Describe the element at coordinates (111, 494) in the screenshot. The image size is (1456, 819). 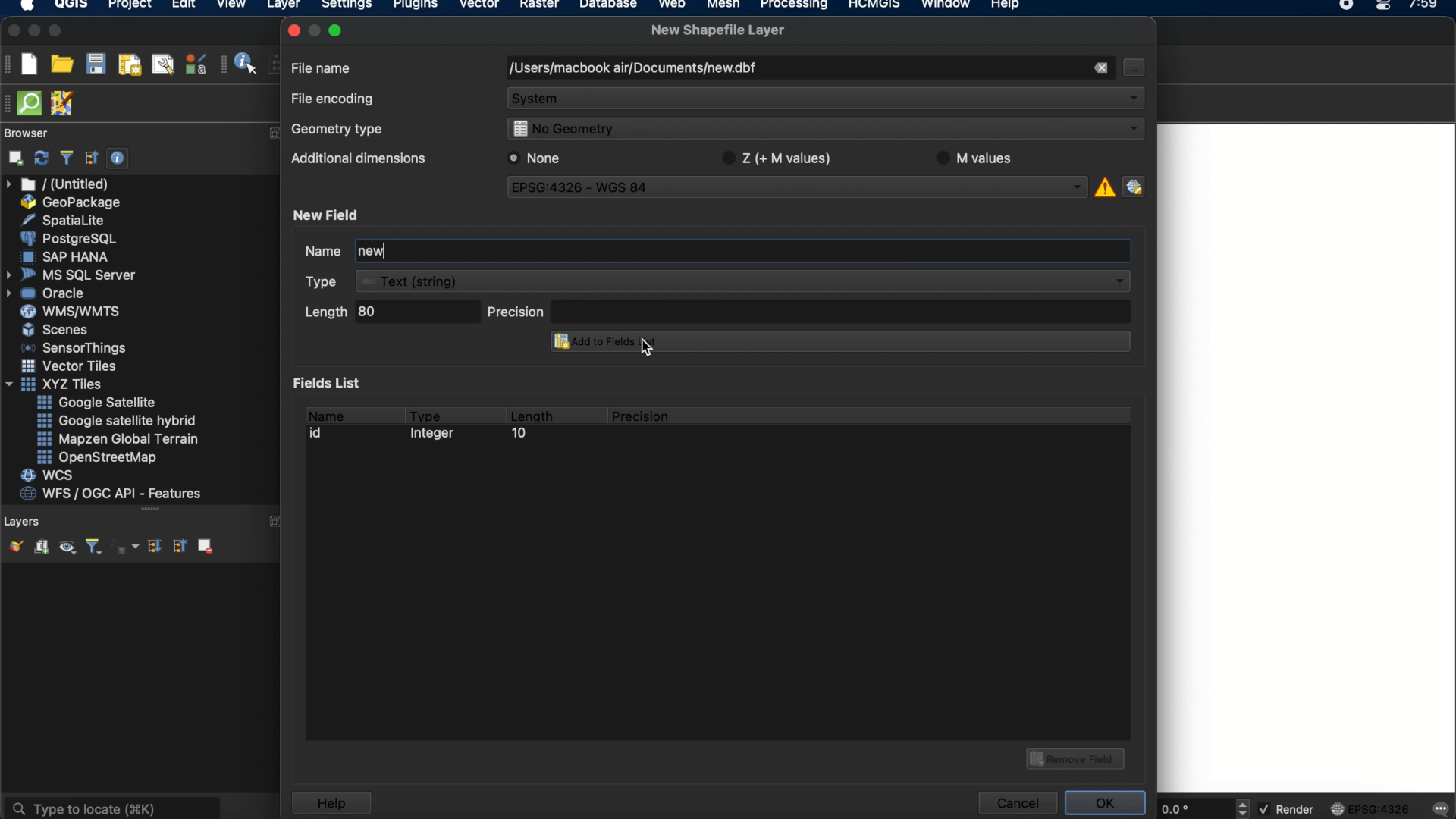
I see `was/ogc api- features` at that location.